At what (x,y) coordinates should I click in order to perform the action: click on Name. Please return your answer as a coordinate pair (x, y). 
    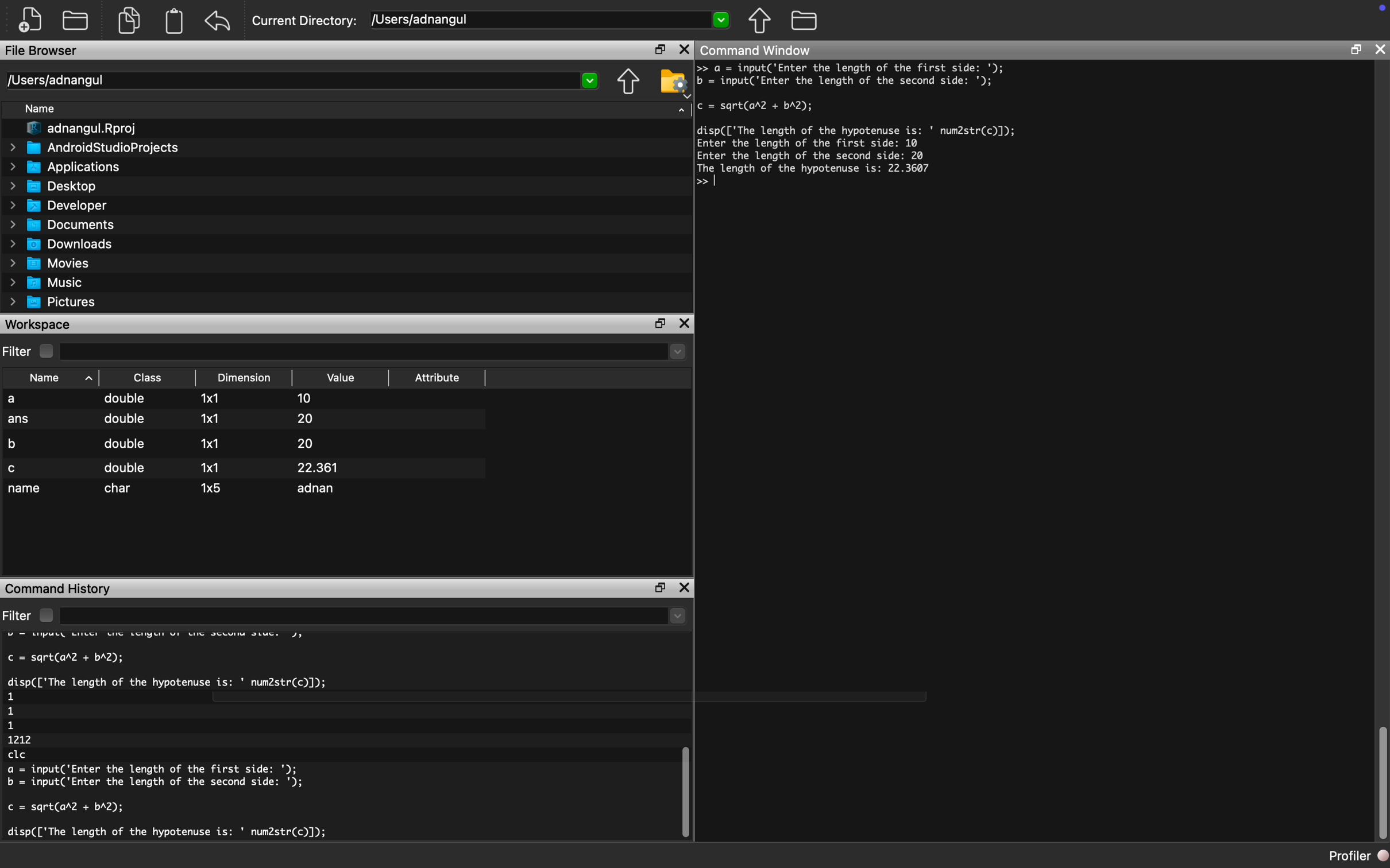
    Looking at the image, I should click on (45, 110).